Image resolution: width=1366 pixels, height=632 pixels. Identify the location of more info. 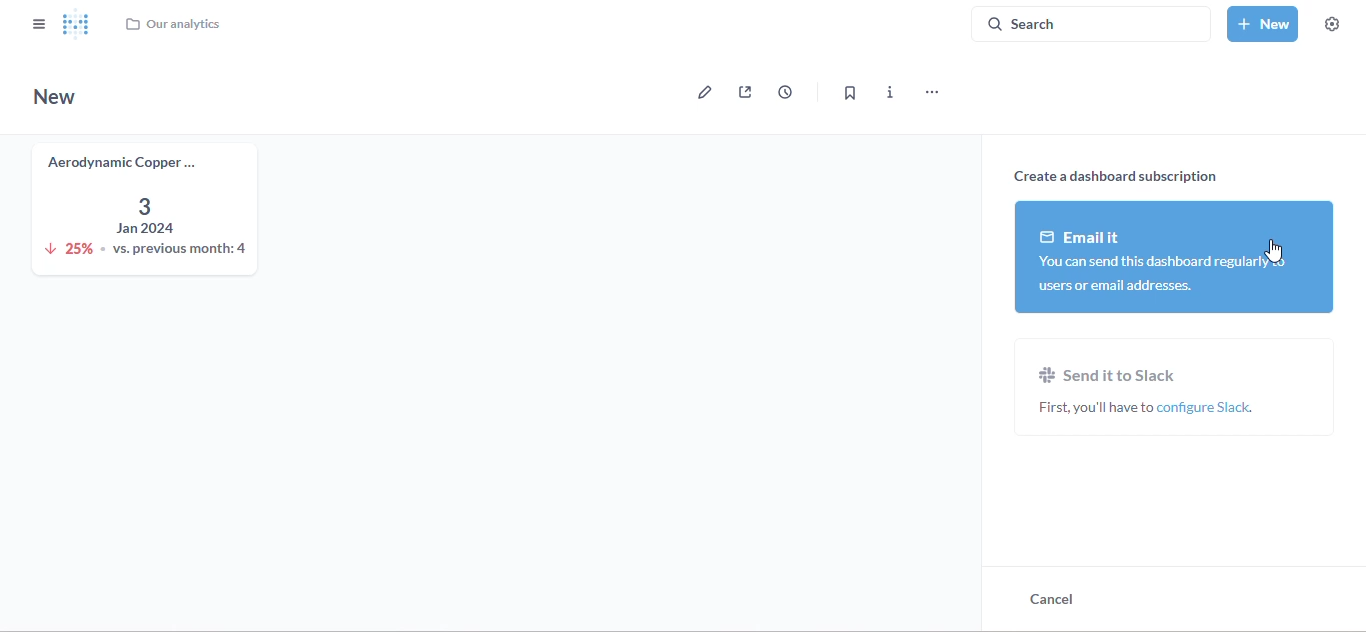
(891, 92).